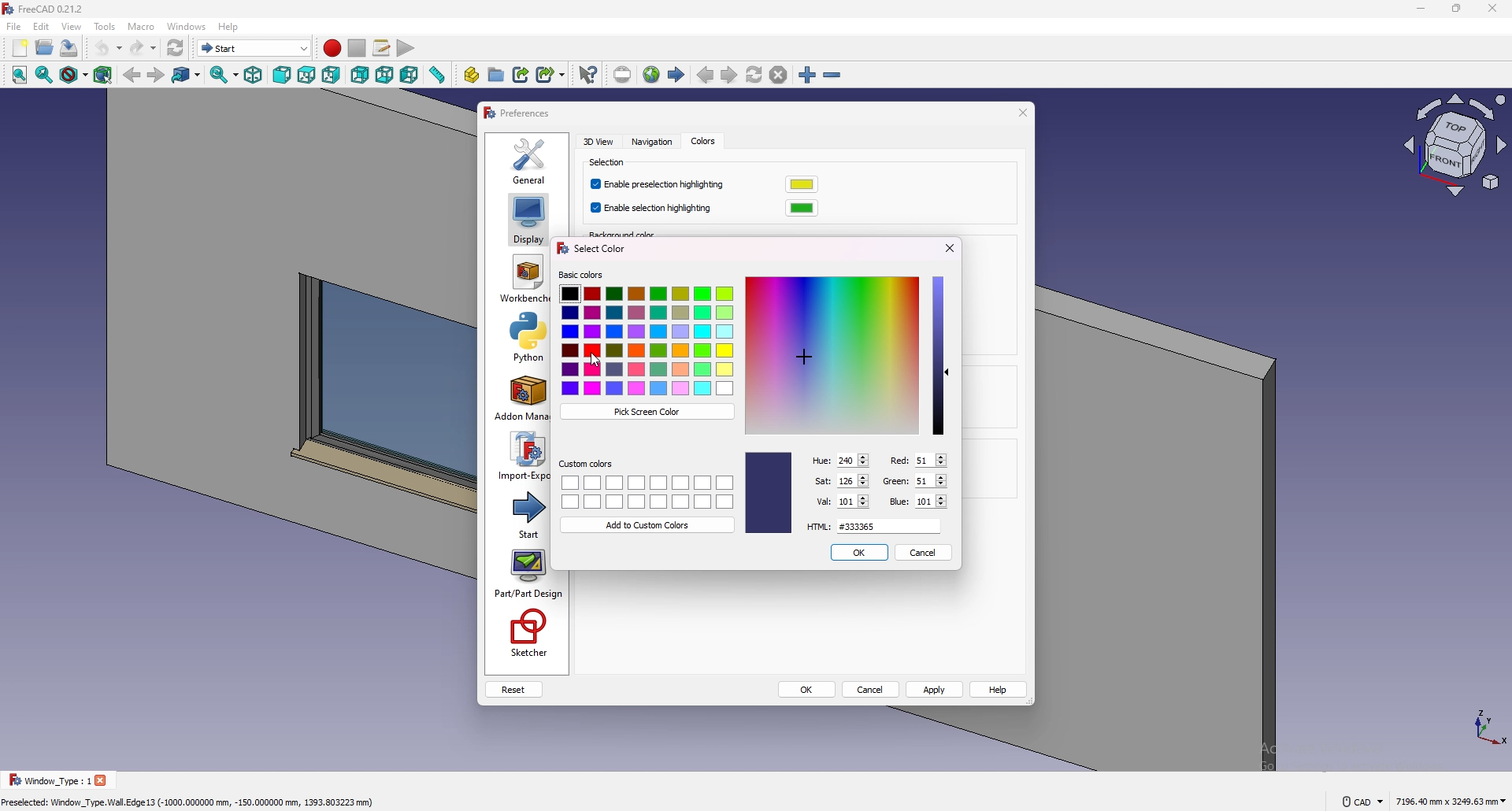 Image resolution: width=1512 pixels, height=811 pixels. What do you see at coordinates (802, 184) in the screenshot?
I see `preselection highlighting color` at bounding box center [802, 184].